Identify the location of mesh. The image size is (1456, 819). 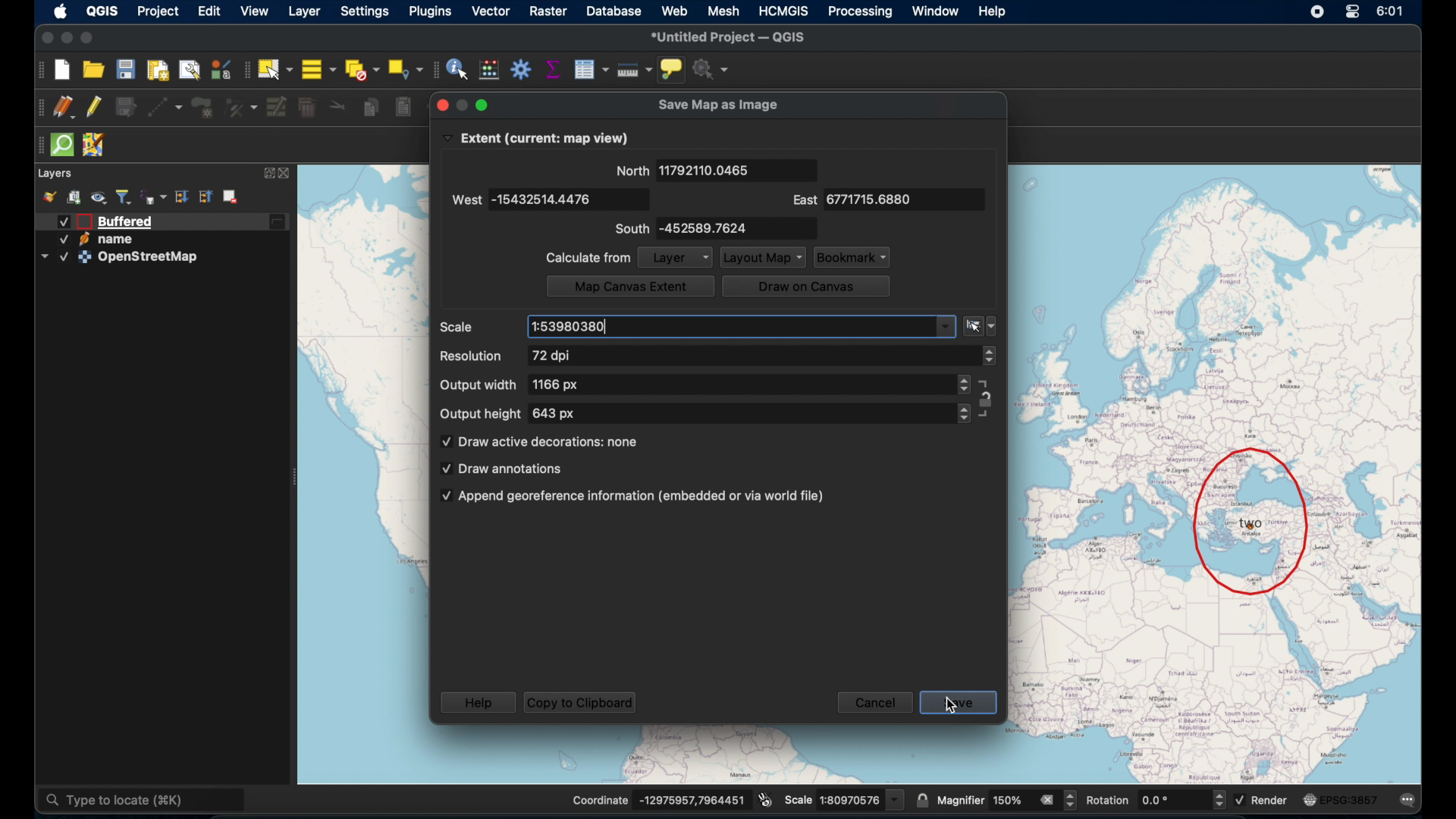
(725, 10).